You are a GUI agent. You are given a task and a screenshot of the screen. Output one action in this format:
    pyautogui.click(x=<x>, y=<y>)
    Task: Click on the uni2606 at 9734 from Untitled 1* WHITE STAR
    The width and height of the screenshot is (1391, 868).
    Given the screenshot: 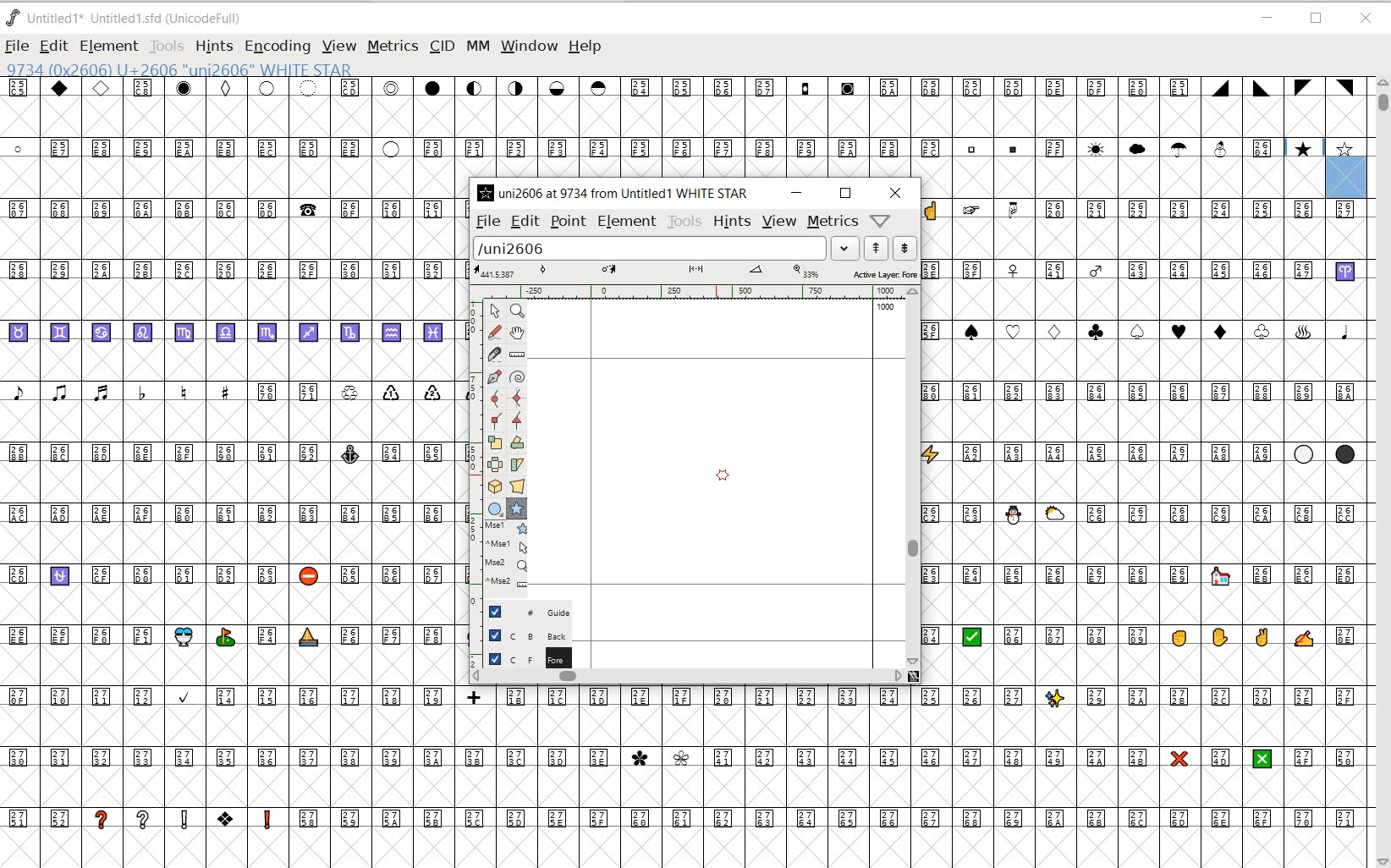 What is the action you would take?
    pyautogui.click(x=615, y=194)
    